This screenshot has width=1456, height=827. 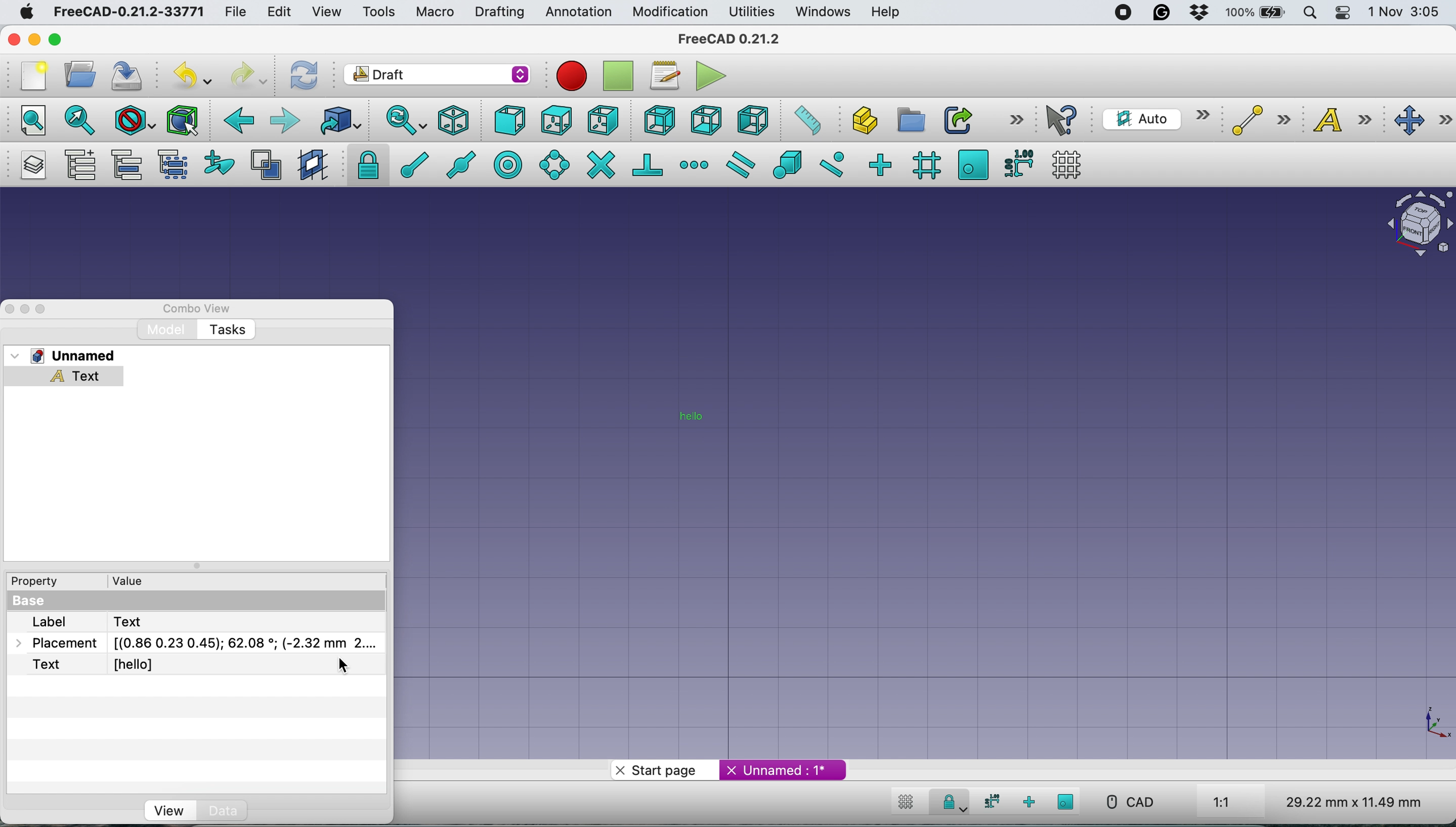 What do you see at coordinates (1426, 721) in the screenshot?
I see `xy coordinate` at bounding box center [1426, 721].